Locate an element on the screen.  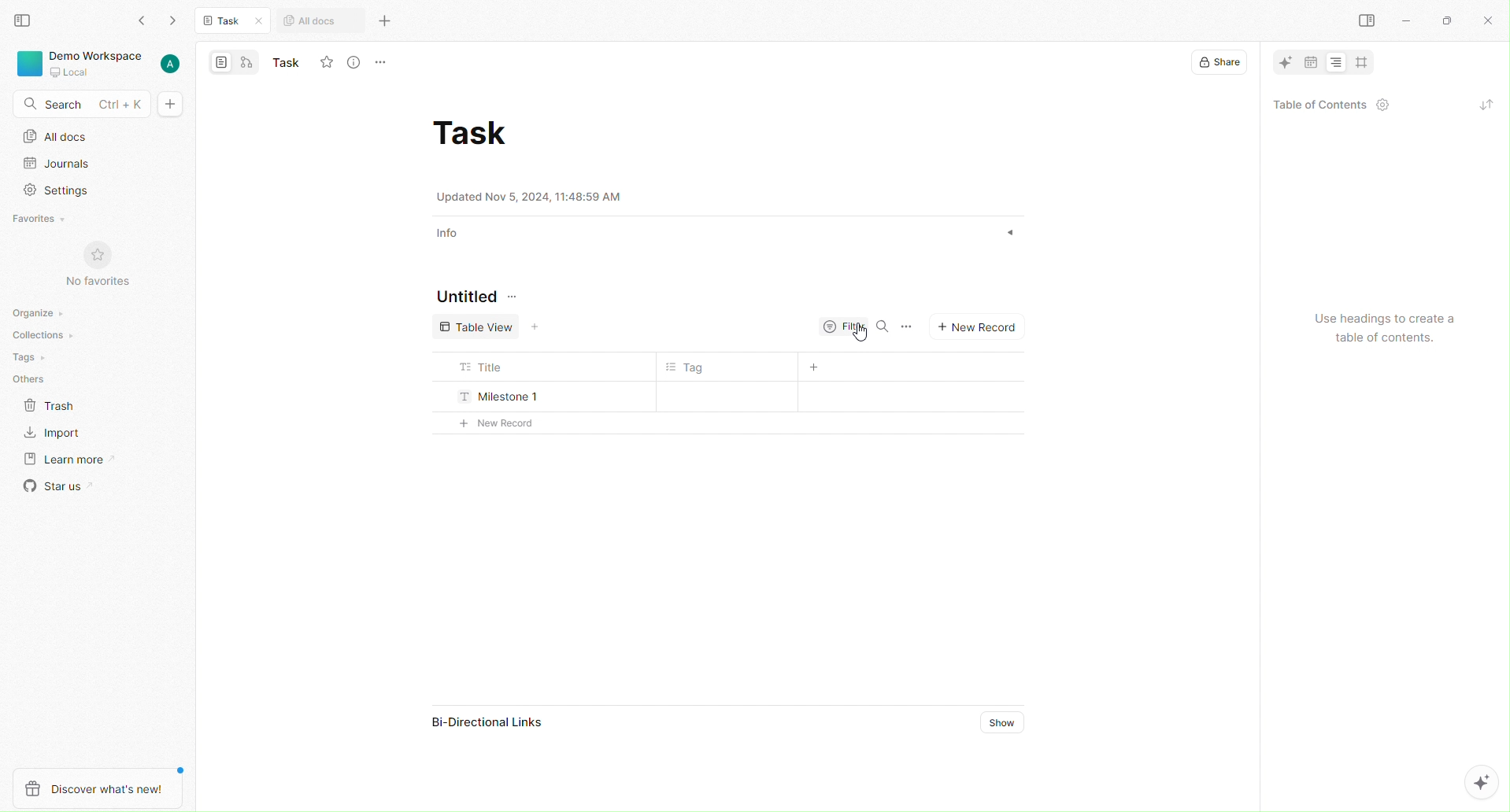
All docs is located at coordinates (313, 22).